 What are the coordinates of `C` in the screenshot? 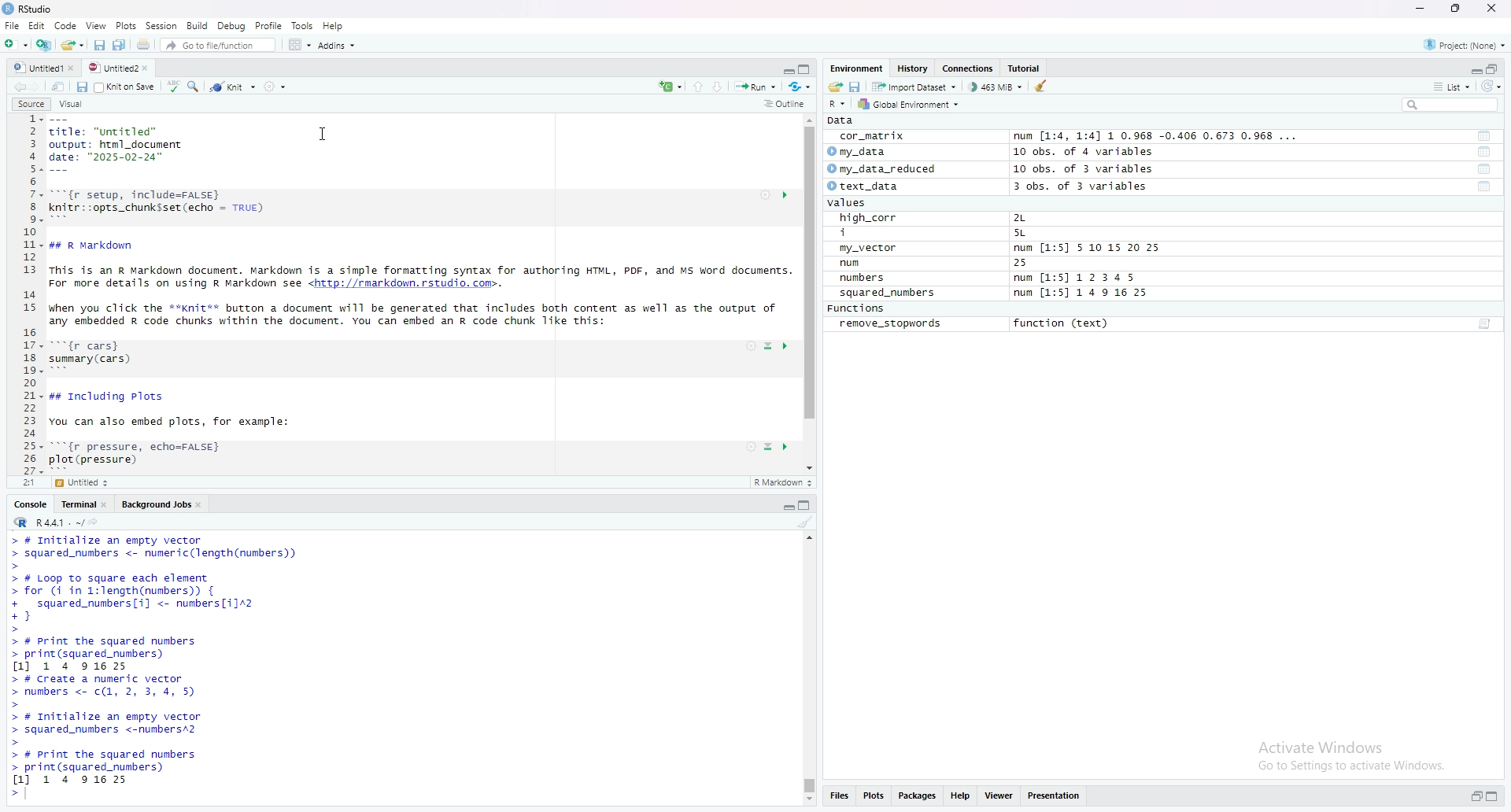 It's located at (670, 88).